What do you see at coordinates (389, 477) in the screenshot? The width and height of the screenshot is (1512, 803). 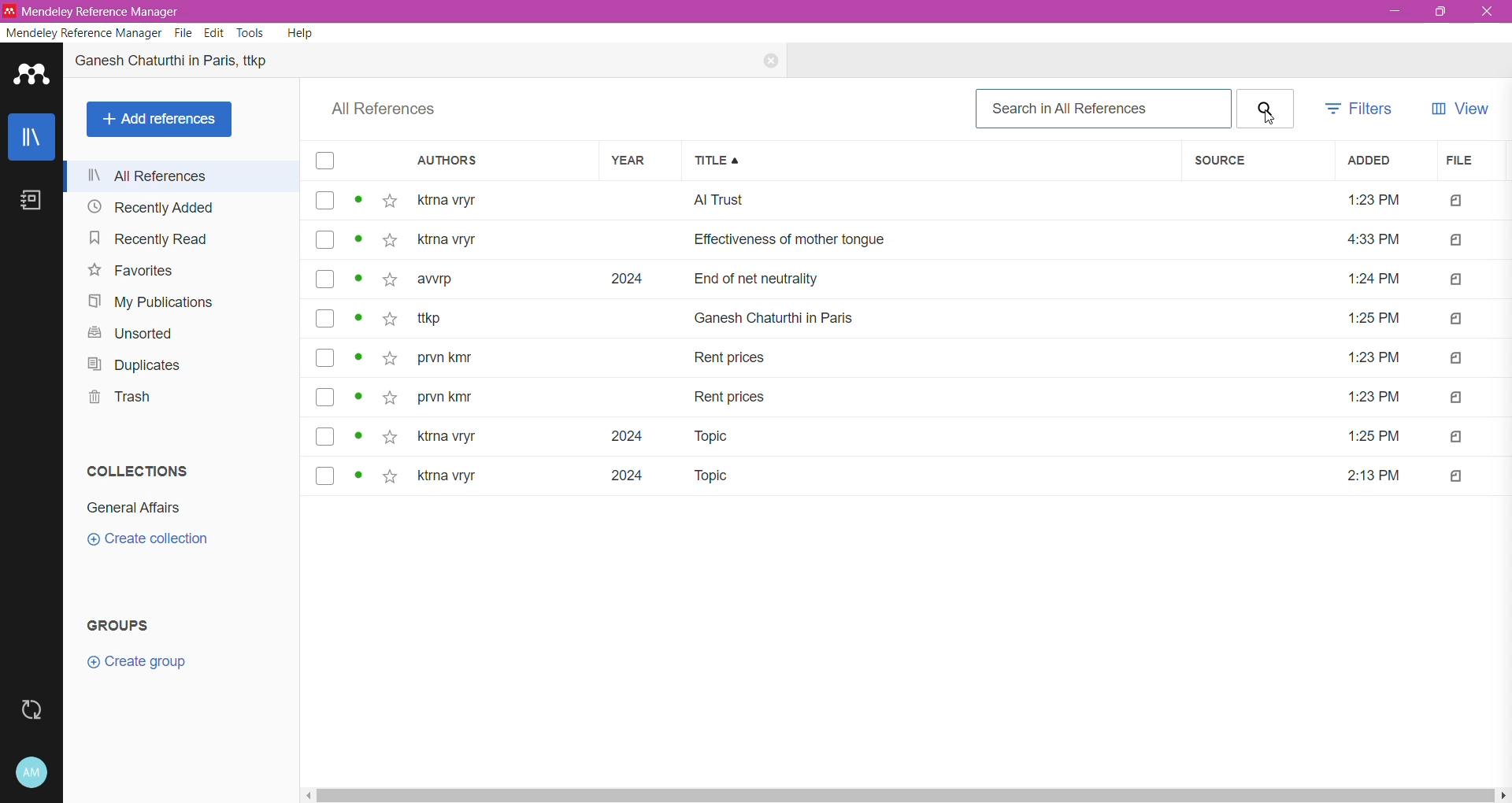 I see `add to favorites` at bounding box center [389, 477].